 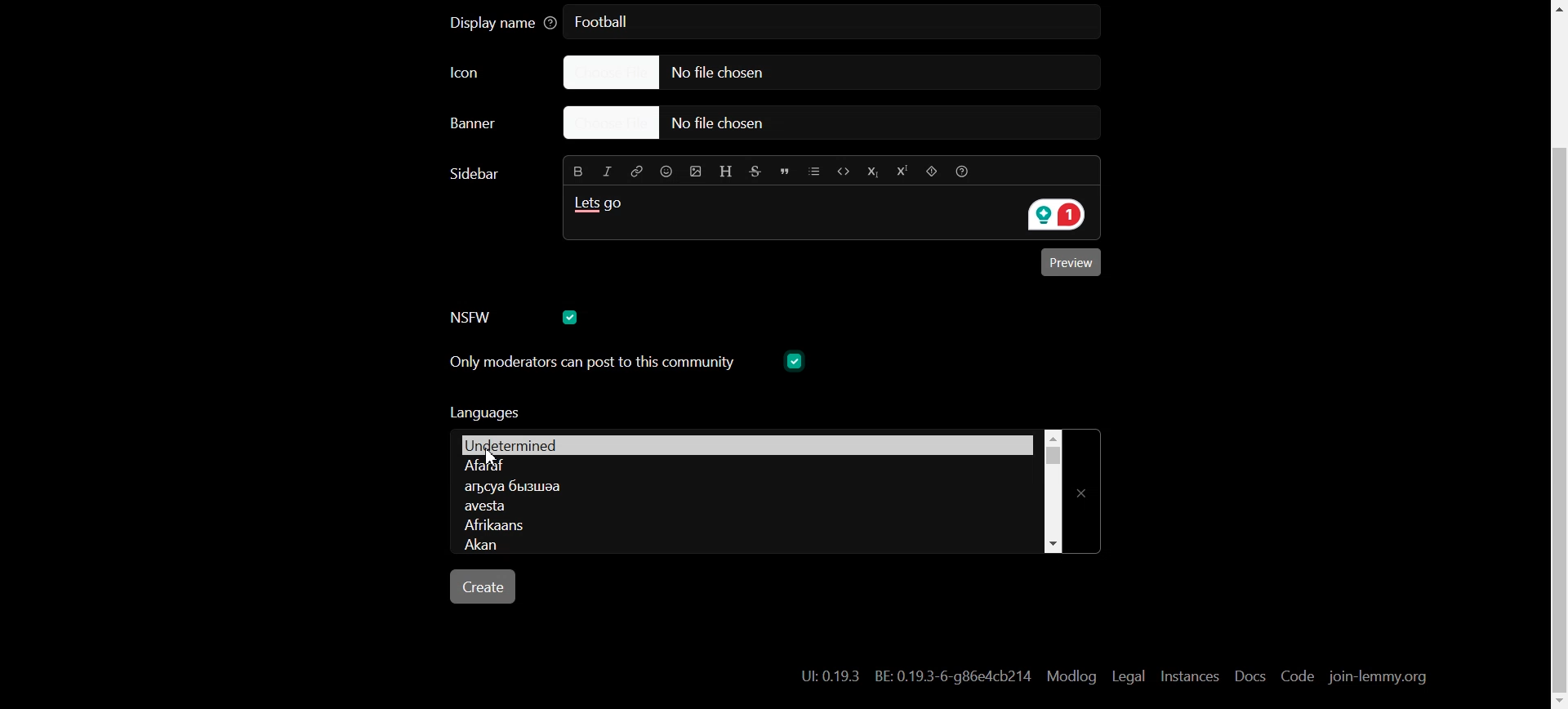 What do you see at coordinates (1189, 676) in the screenshot?
I see `Instance` at bounding box center [1189, 676].